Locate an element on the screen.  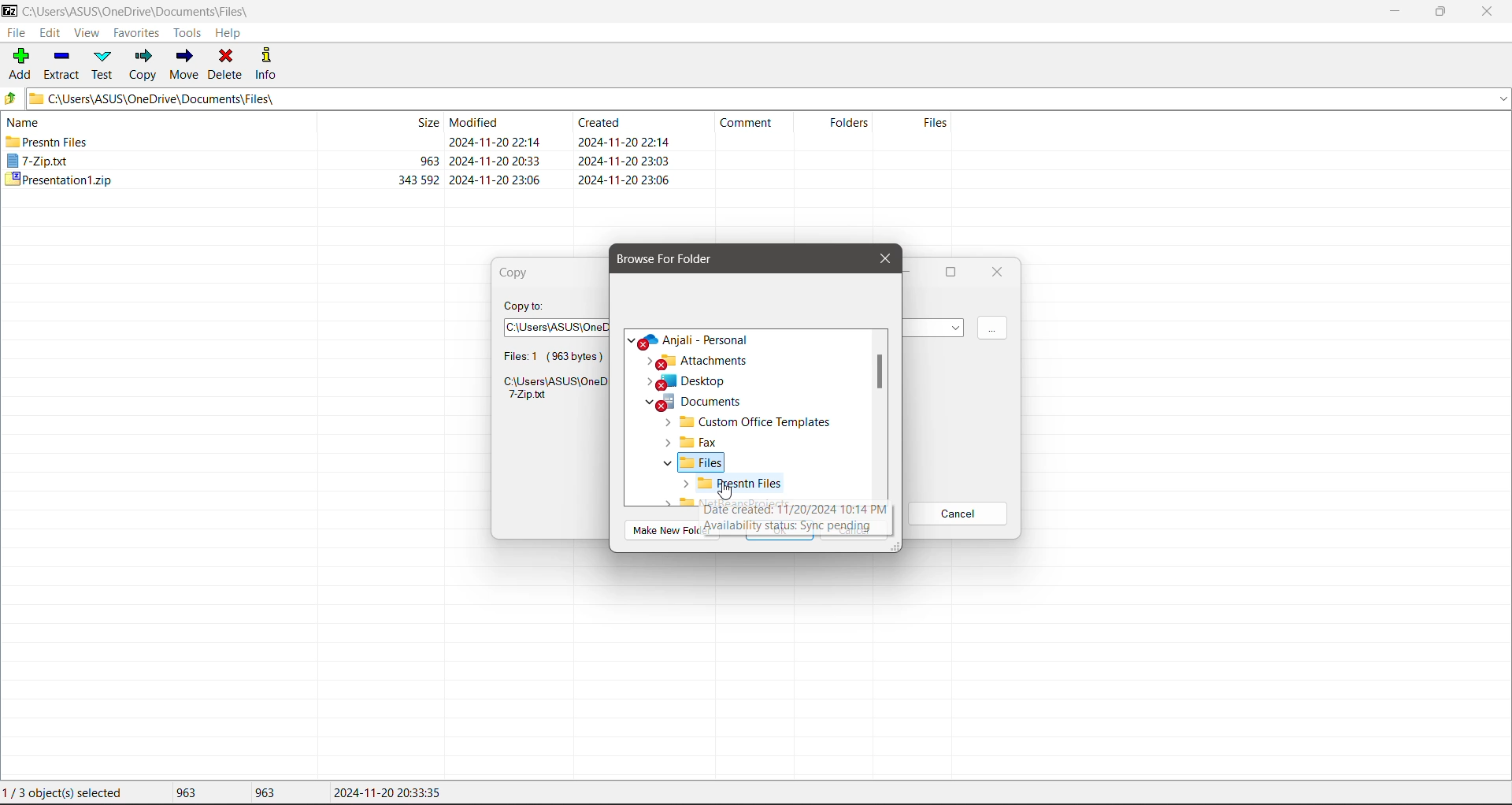
Vertical Scroll Bar is located at coordinates (879, 419).